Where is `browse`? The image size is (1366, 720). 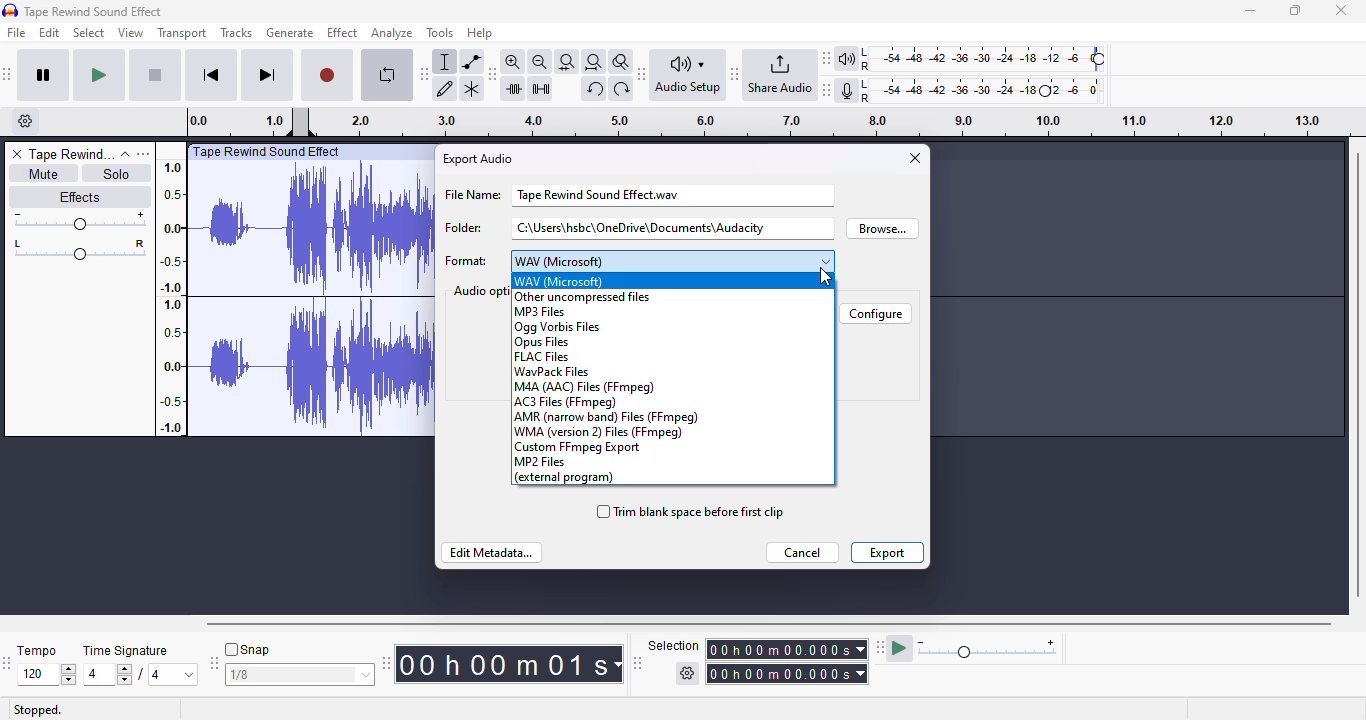
browse is located at coordinates (884, 228).